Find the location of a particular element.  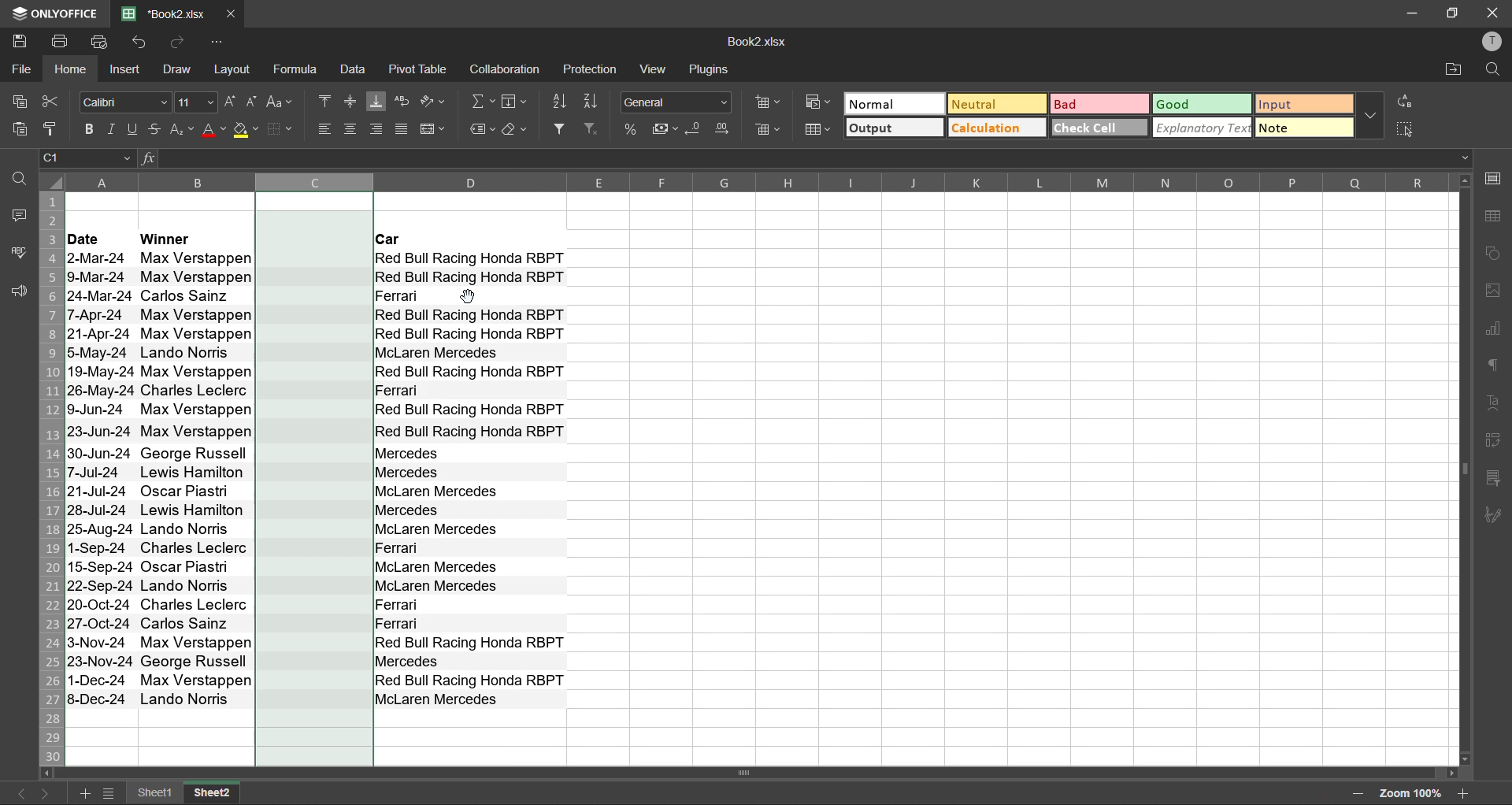

fx is located at coordinates (146, 159).